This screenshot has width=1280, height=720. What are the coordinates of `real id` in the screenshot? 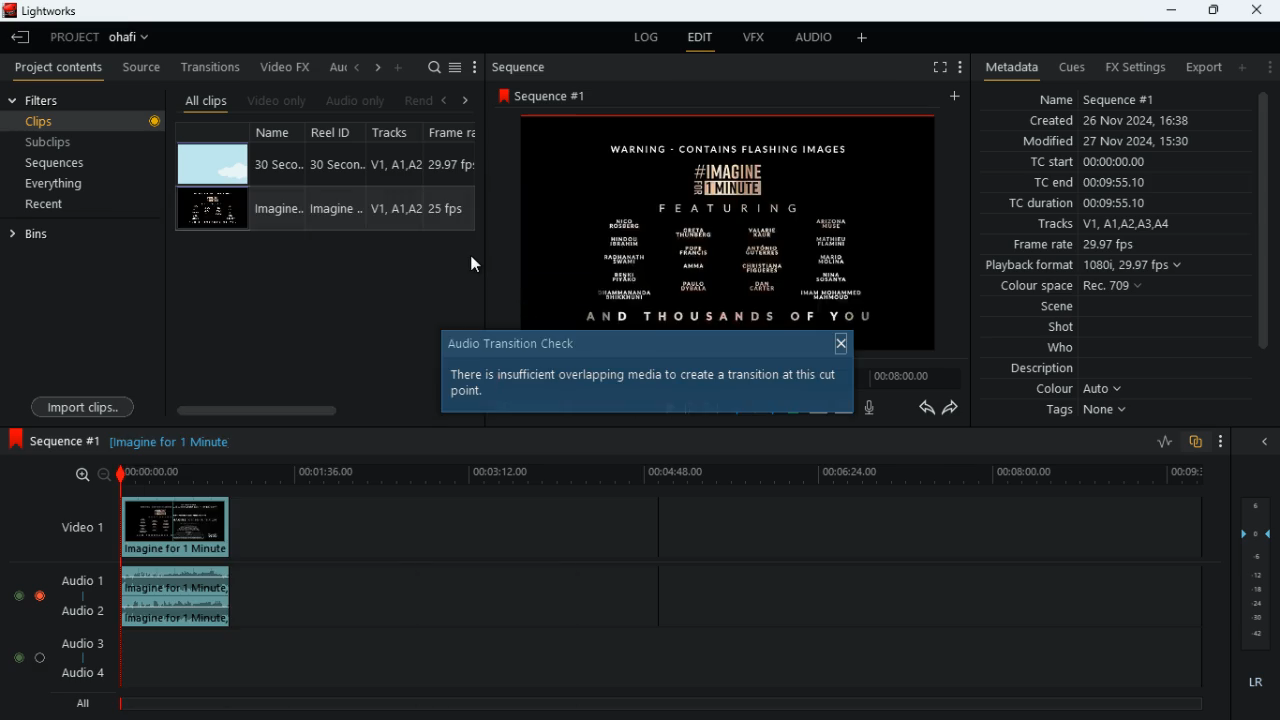 It's located at (338, 132).